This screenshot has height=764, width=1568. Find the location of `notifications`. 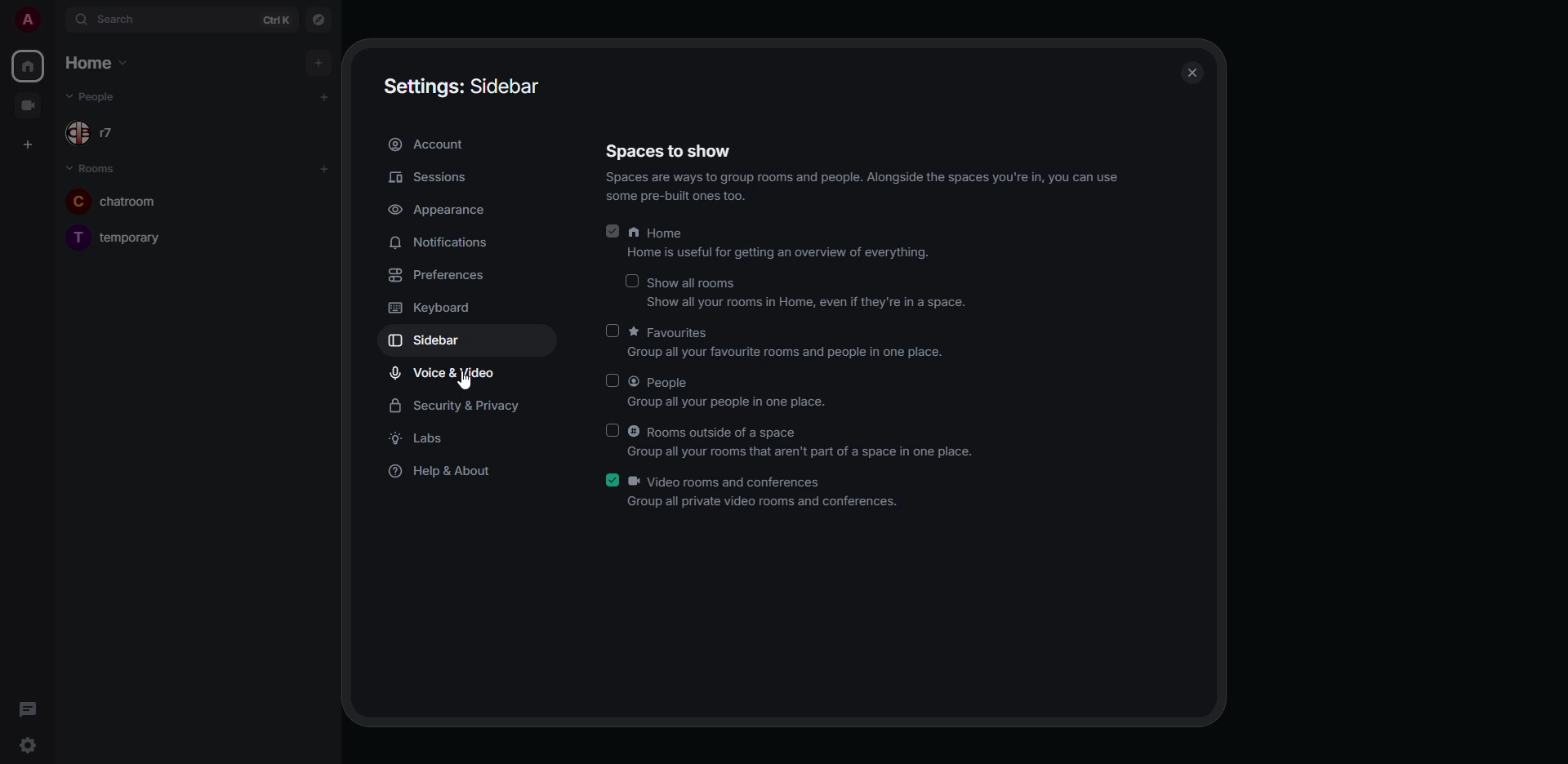

notifications is located at coordinates (443, 242).